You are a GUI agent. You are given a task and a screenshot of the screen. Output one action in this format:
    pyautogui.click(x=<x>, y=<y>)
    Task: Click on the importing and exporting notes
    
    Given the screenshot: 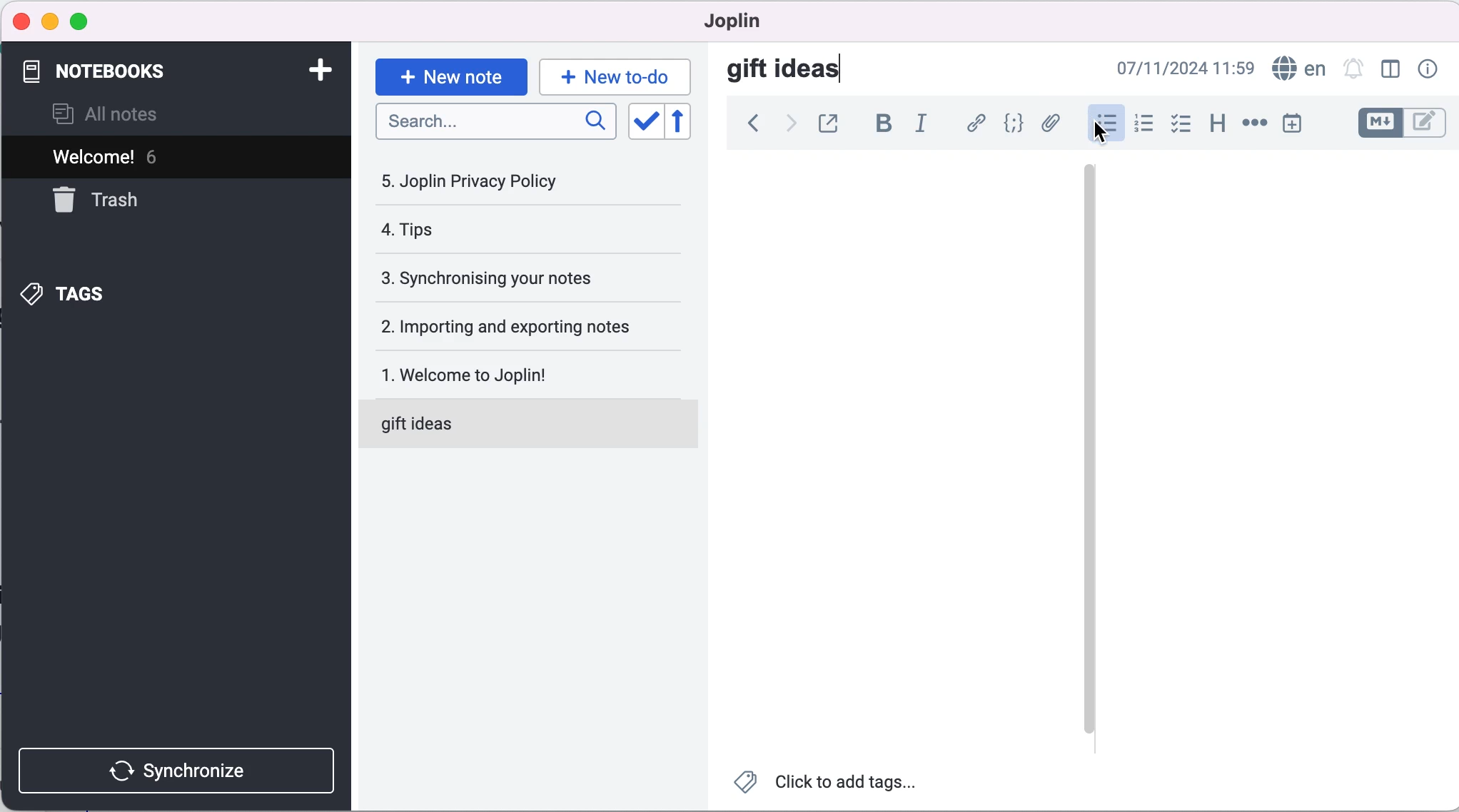 What is the action you would take?
    pyautogui.click(x=523, y=325)
    